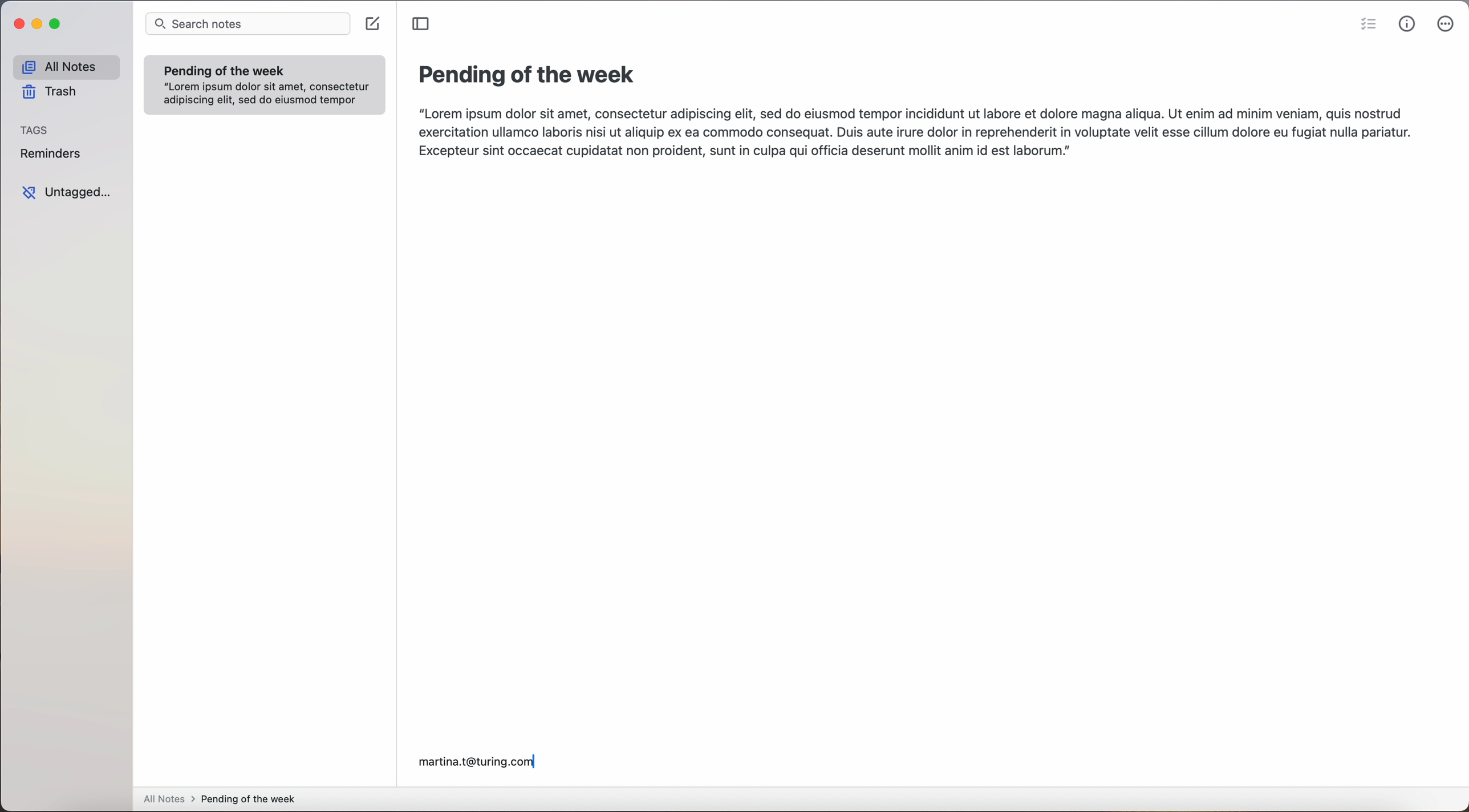 Image resolution: width=1469 pixels, height=812 pixels. What do you see at coordinates (38, 24) in the screenshot?
I see `minimize app` at bounding box center [38, 24].